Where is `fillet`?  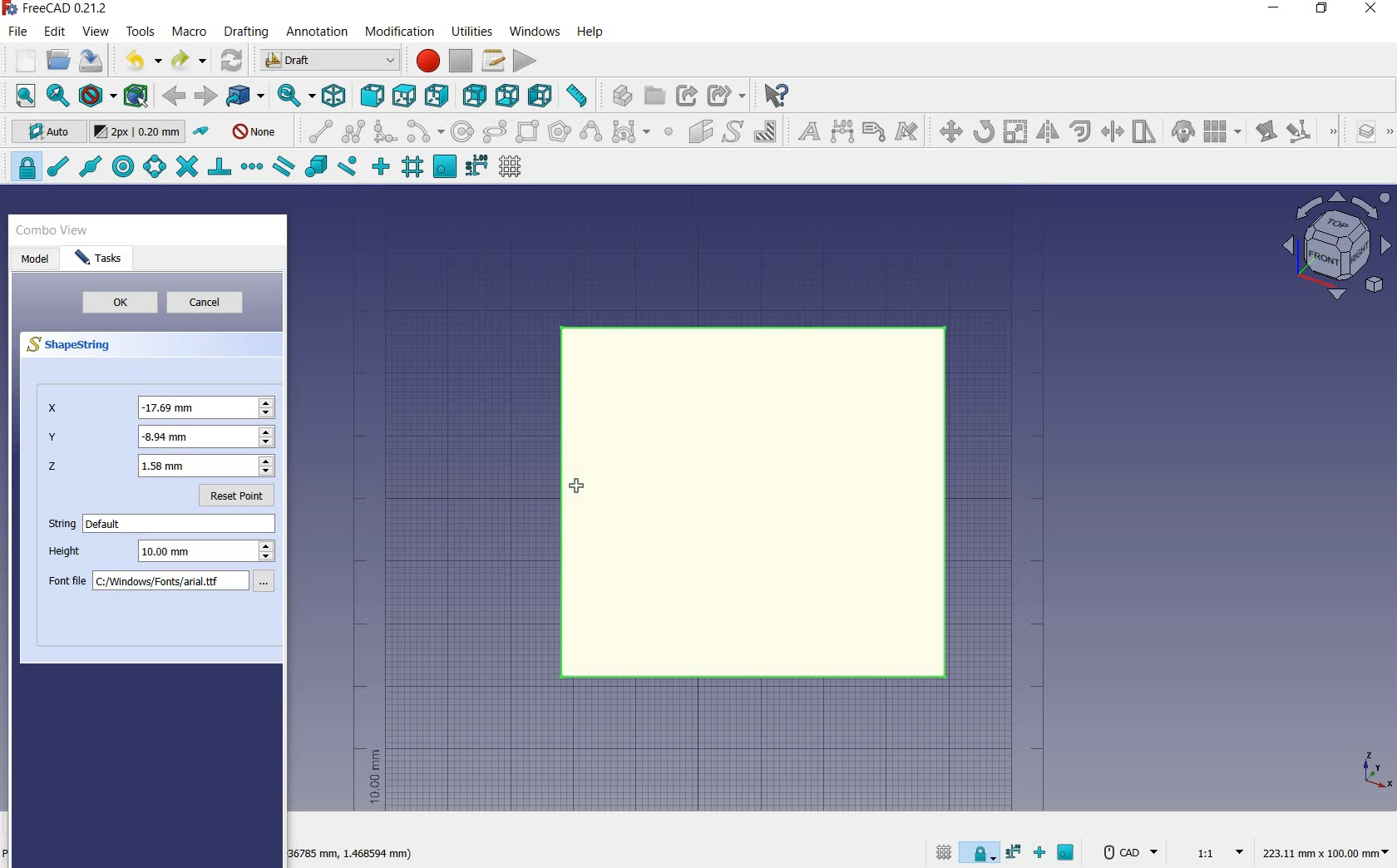 fillet is located at coordinates (386, 132).